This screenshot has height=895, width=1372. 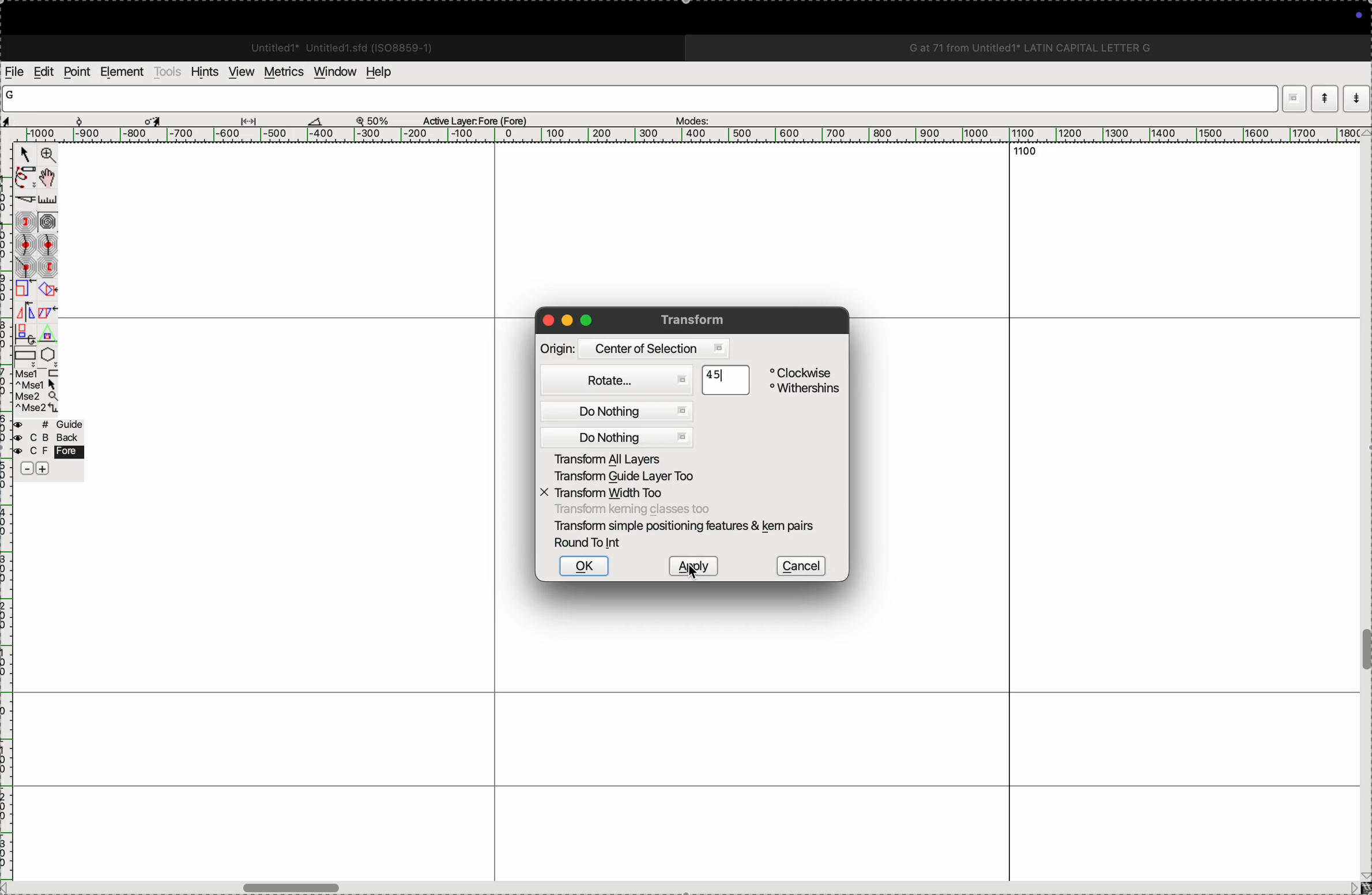 I want to click on vertical scrollbar, so click(x=1363, y=516).